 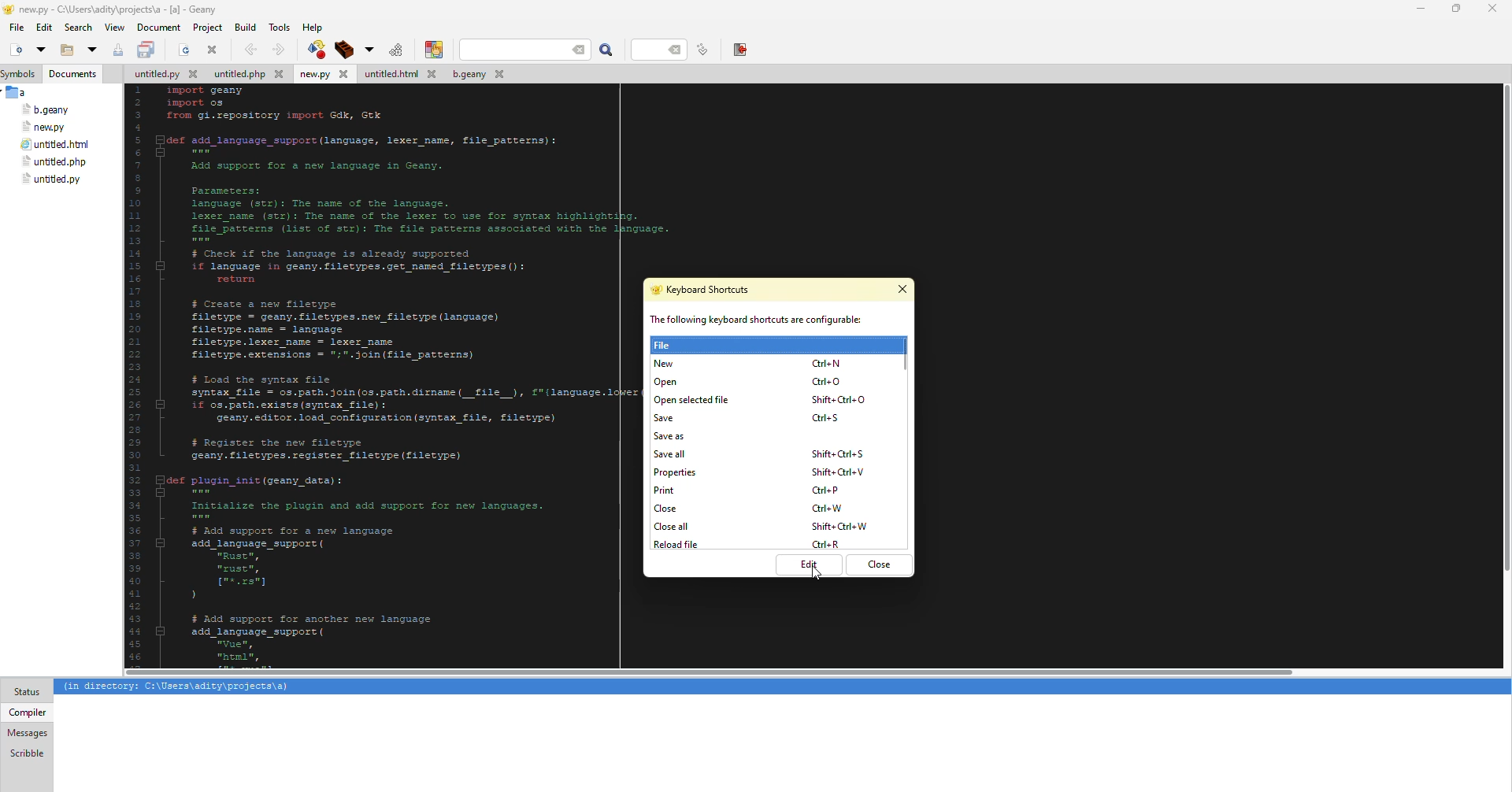 What do you see at coordinates (314, 49) in the screenshot?
I see `compile` at bounding box center [314, 49].